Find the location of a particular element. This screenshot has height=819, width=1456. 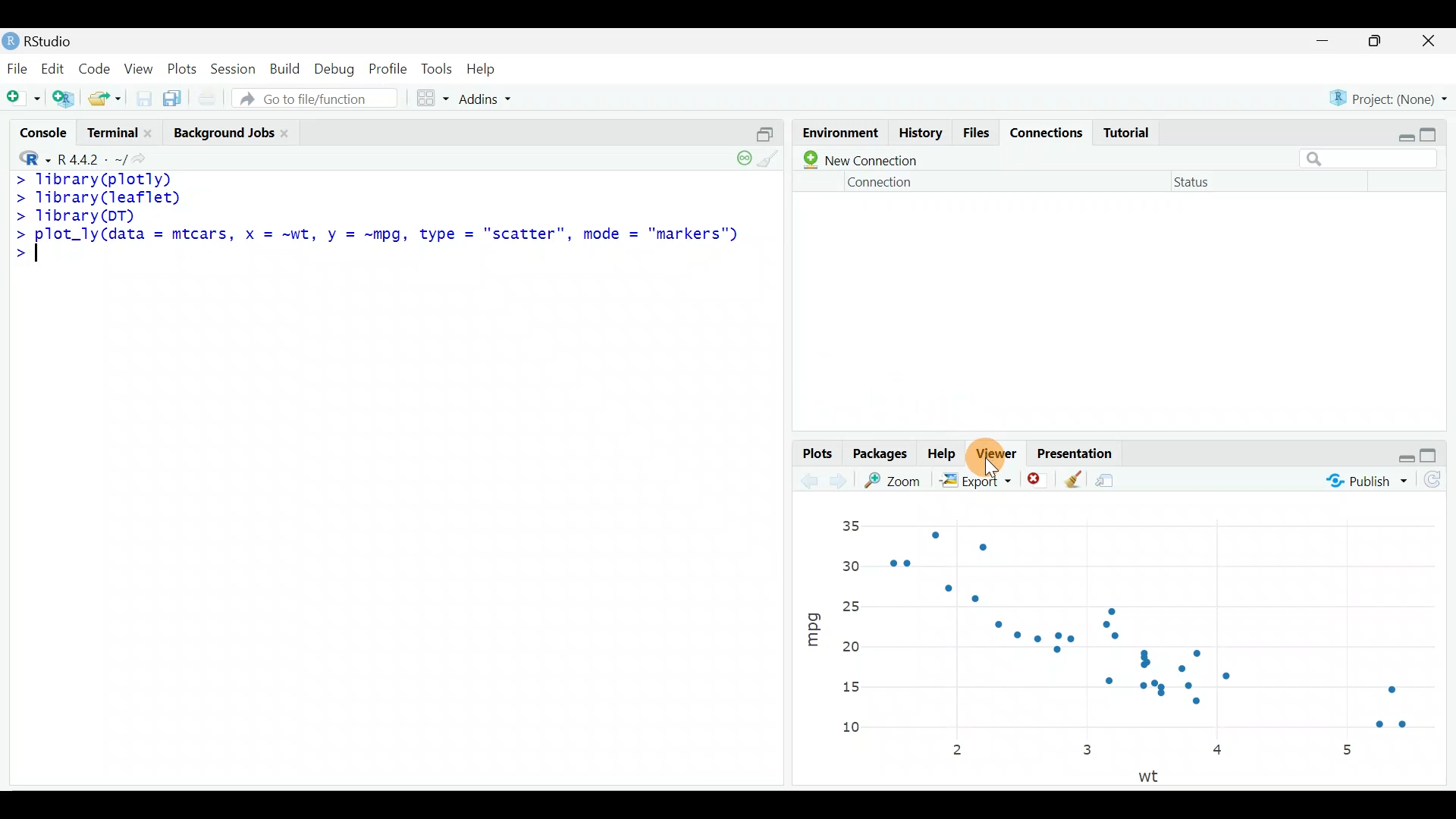

go forward is located at coordinates (843, 480).